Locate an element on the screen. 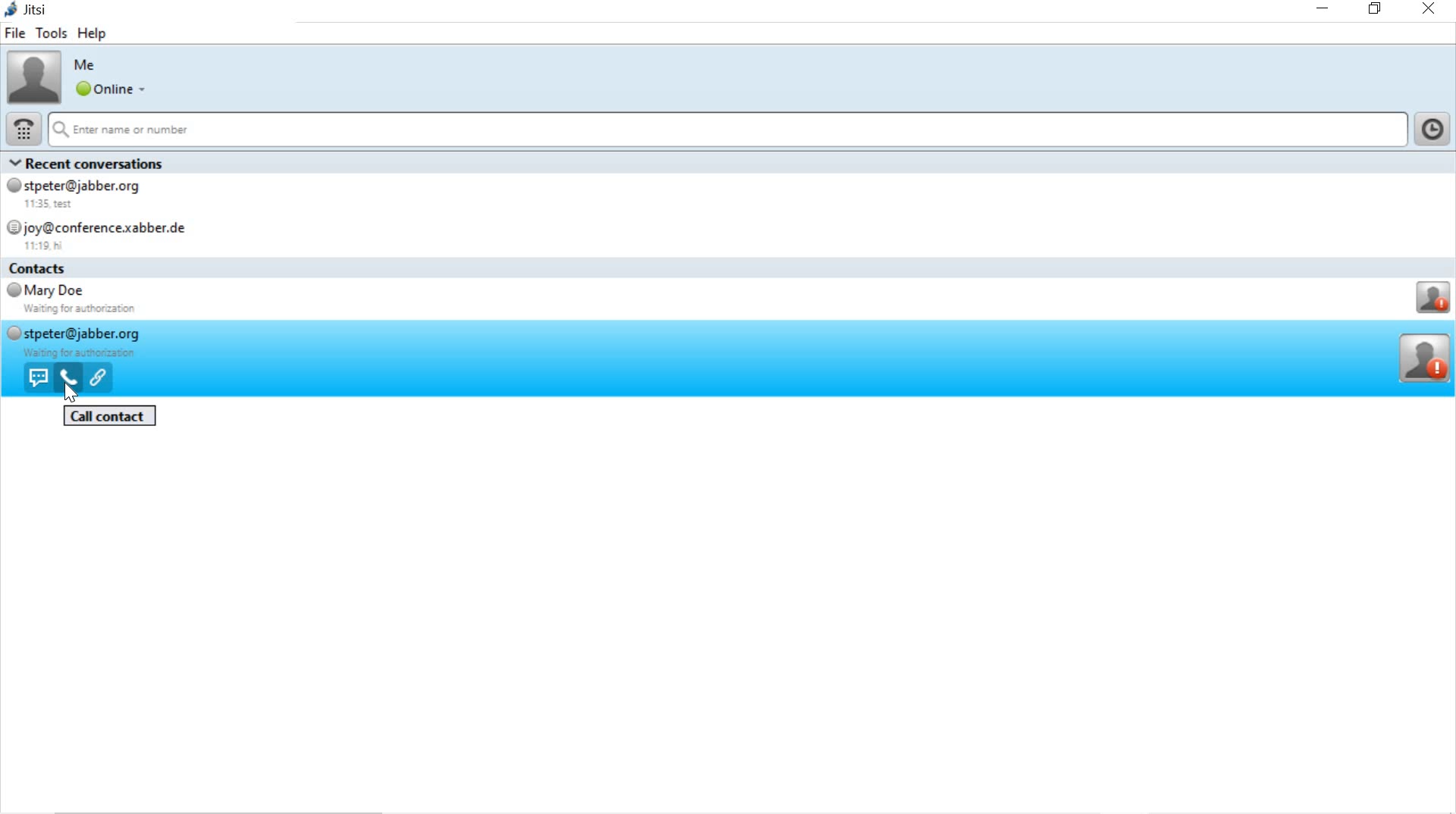  call contact is located at coordinates (110, 415).